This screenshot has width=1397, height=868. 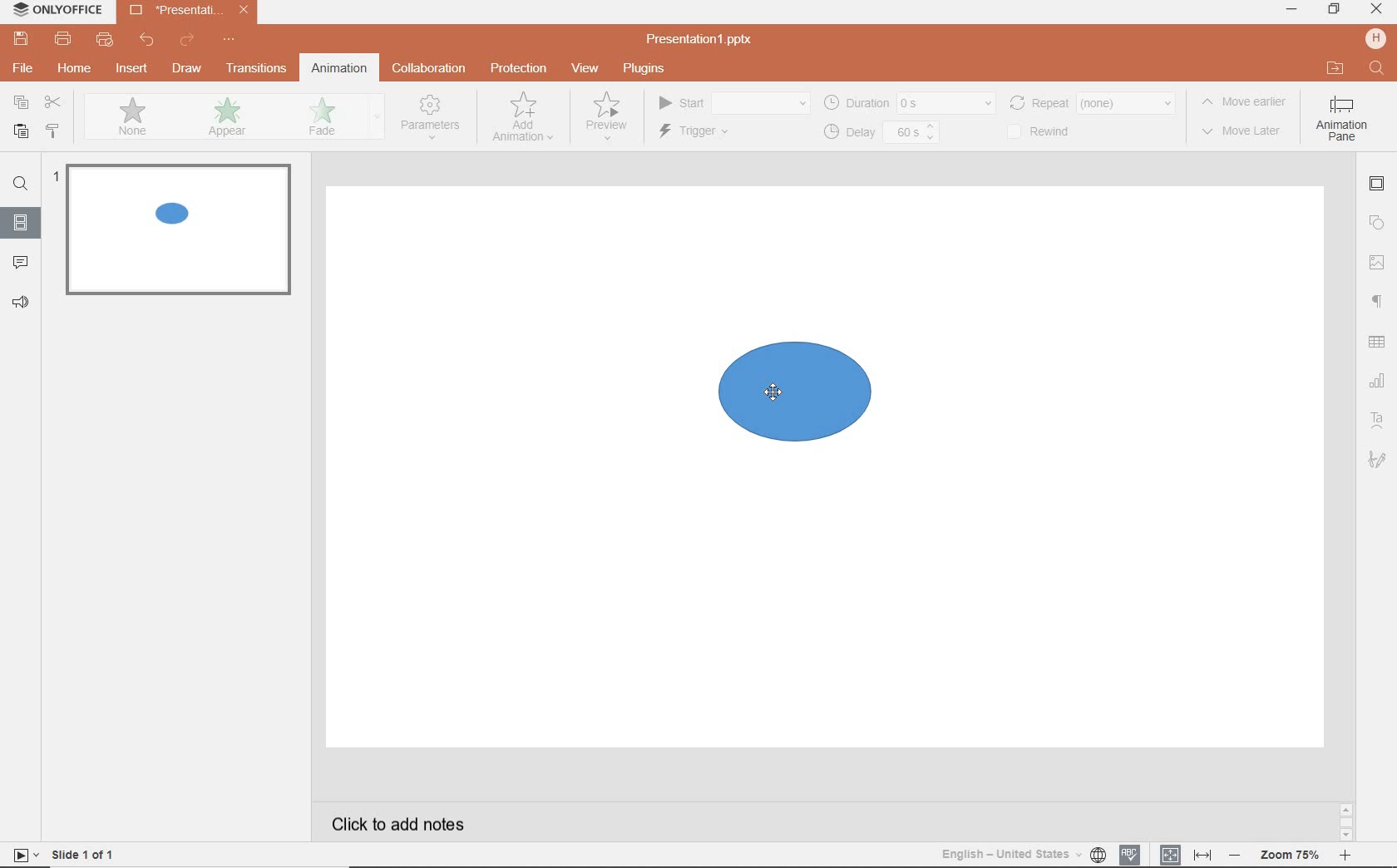 I want to click on delay, so click(x=880, y=133).